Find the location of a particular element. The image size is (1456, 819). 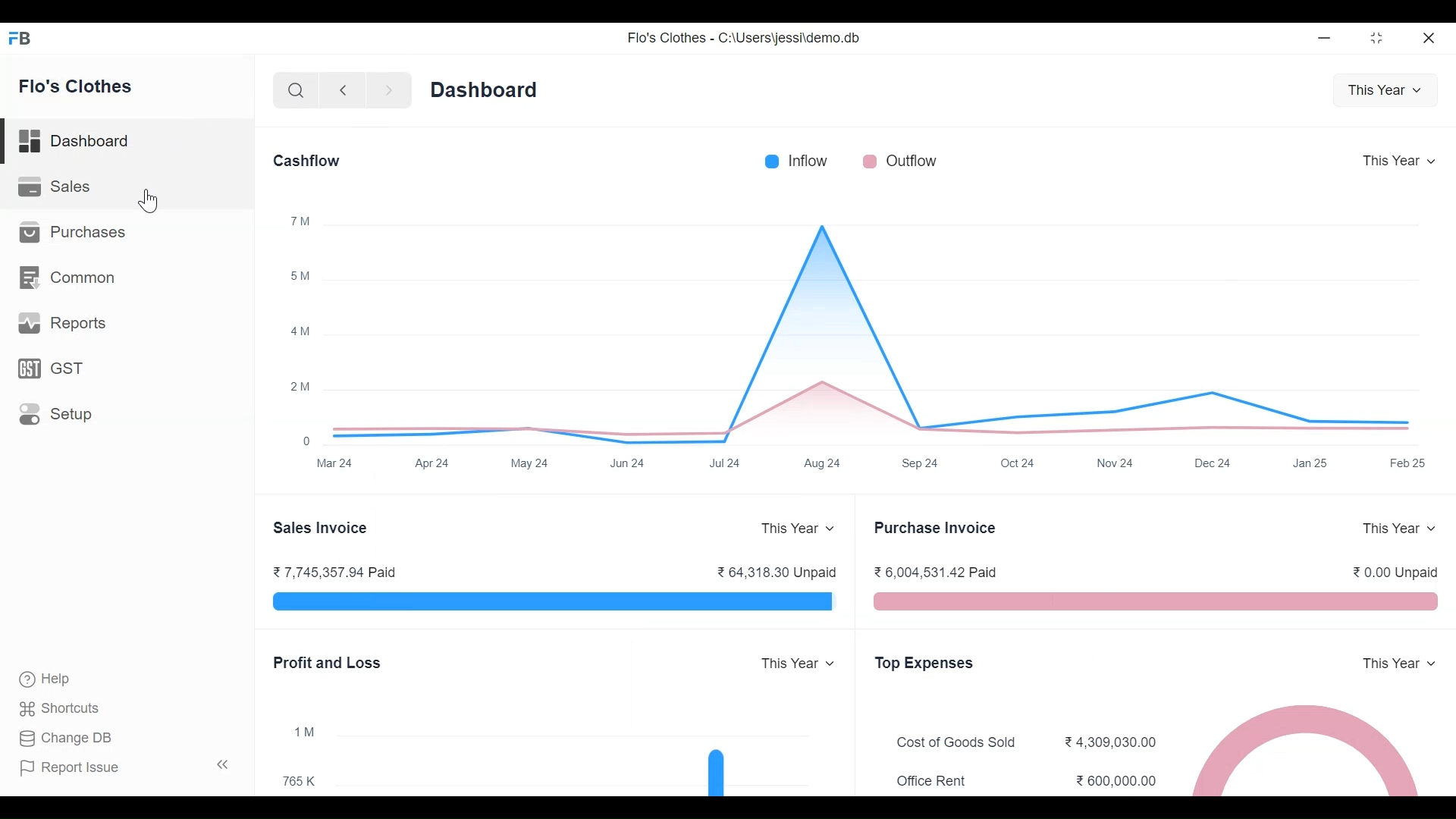

Restore is located at coordinates (1373, 37).